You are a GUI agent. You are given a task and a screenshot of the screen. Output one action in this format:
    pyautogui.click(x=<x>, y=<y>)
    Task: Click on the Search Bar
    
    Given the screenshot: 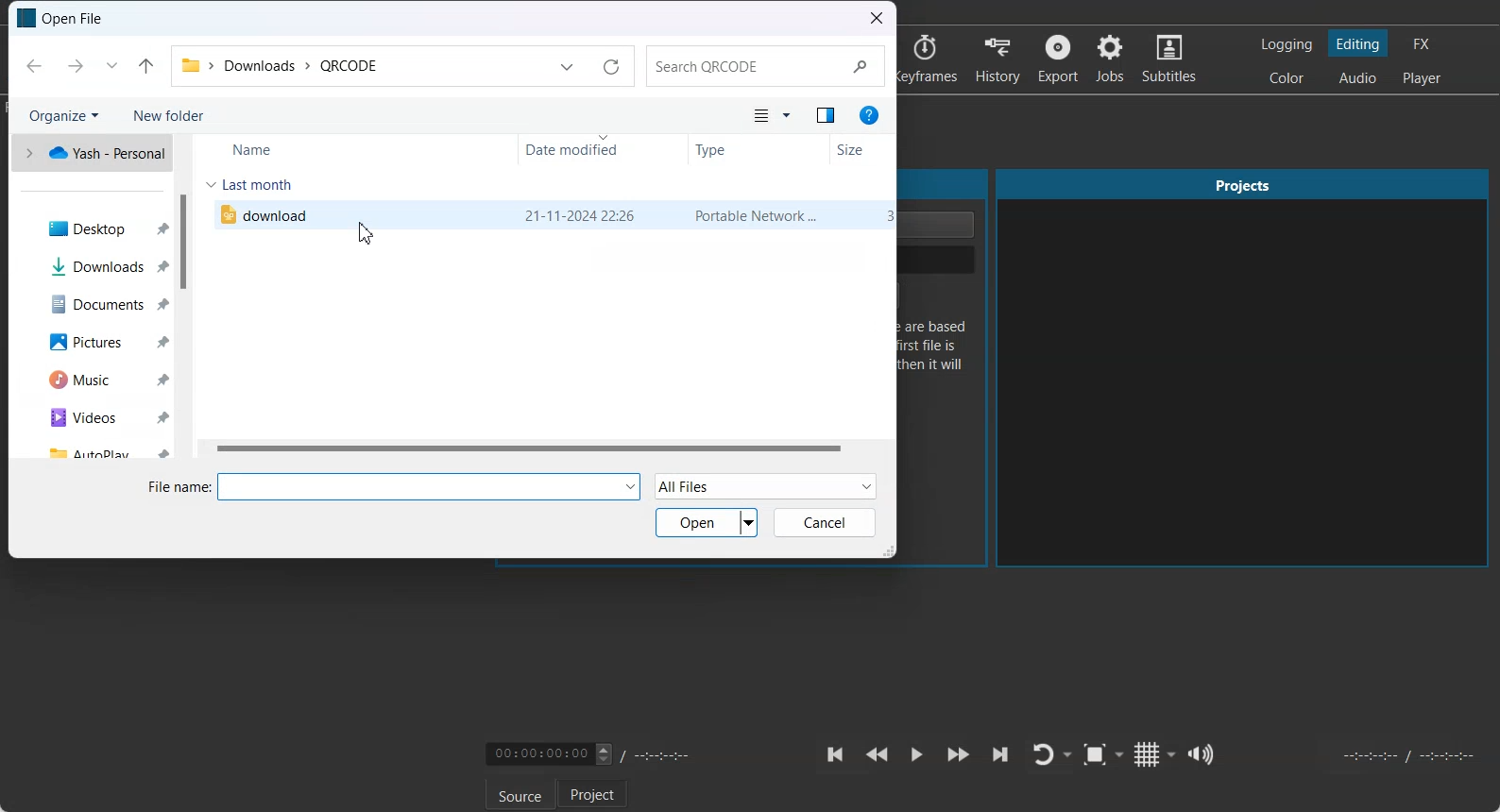 What is the action you would take?
    pyautogui.click(x=766, y=65)
    